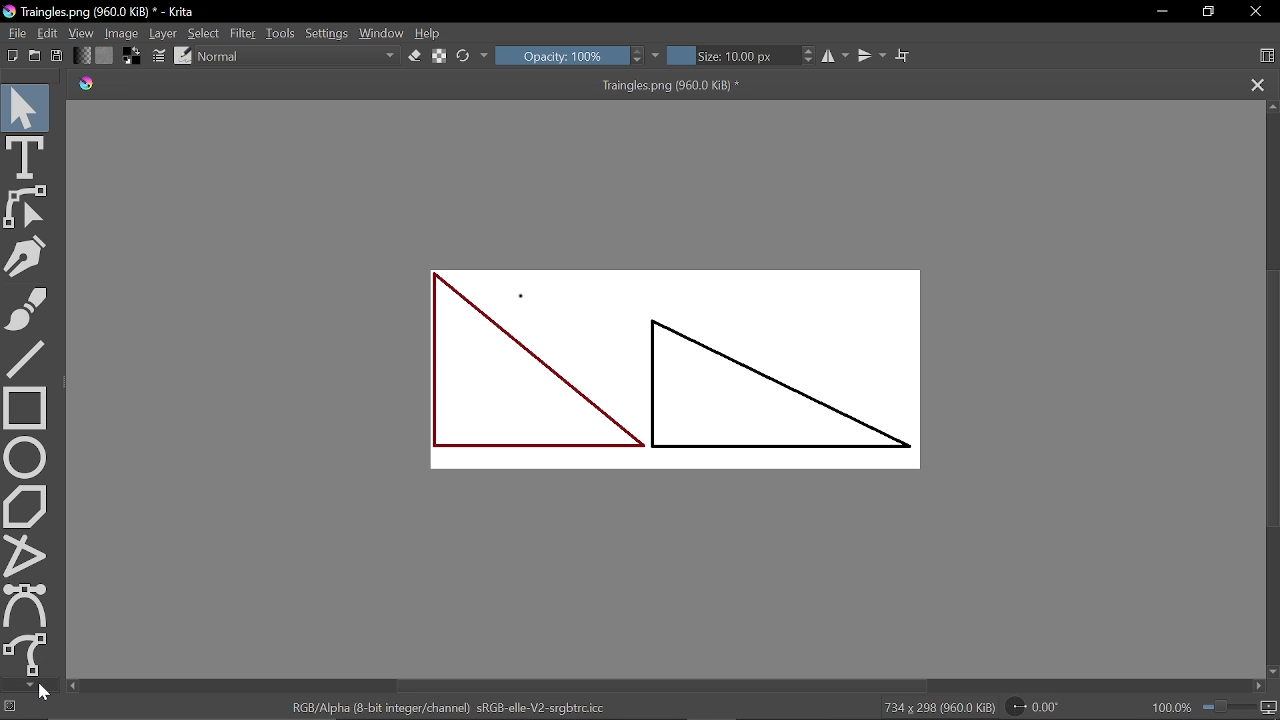 The height and width of the screenshot is (720, 1280). Describe the element at coordinates (654, 85) in the screenshot. I see `Traingles.png (960.0 KiB) *` at that location.